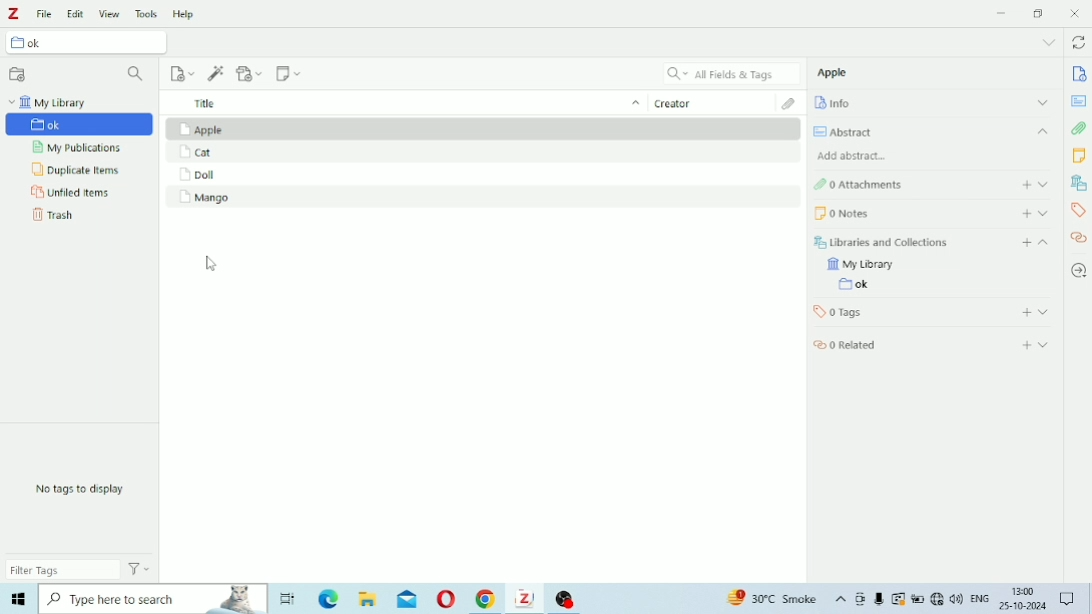 The width and height of the screenshot is (1092, 614). Describe the element at coordinates (791, 104) in the screenshot. I see `Attachments` at that location.